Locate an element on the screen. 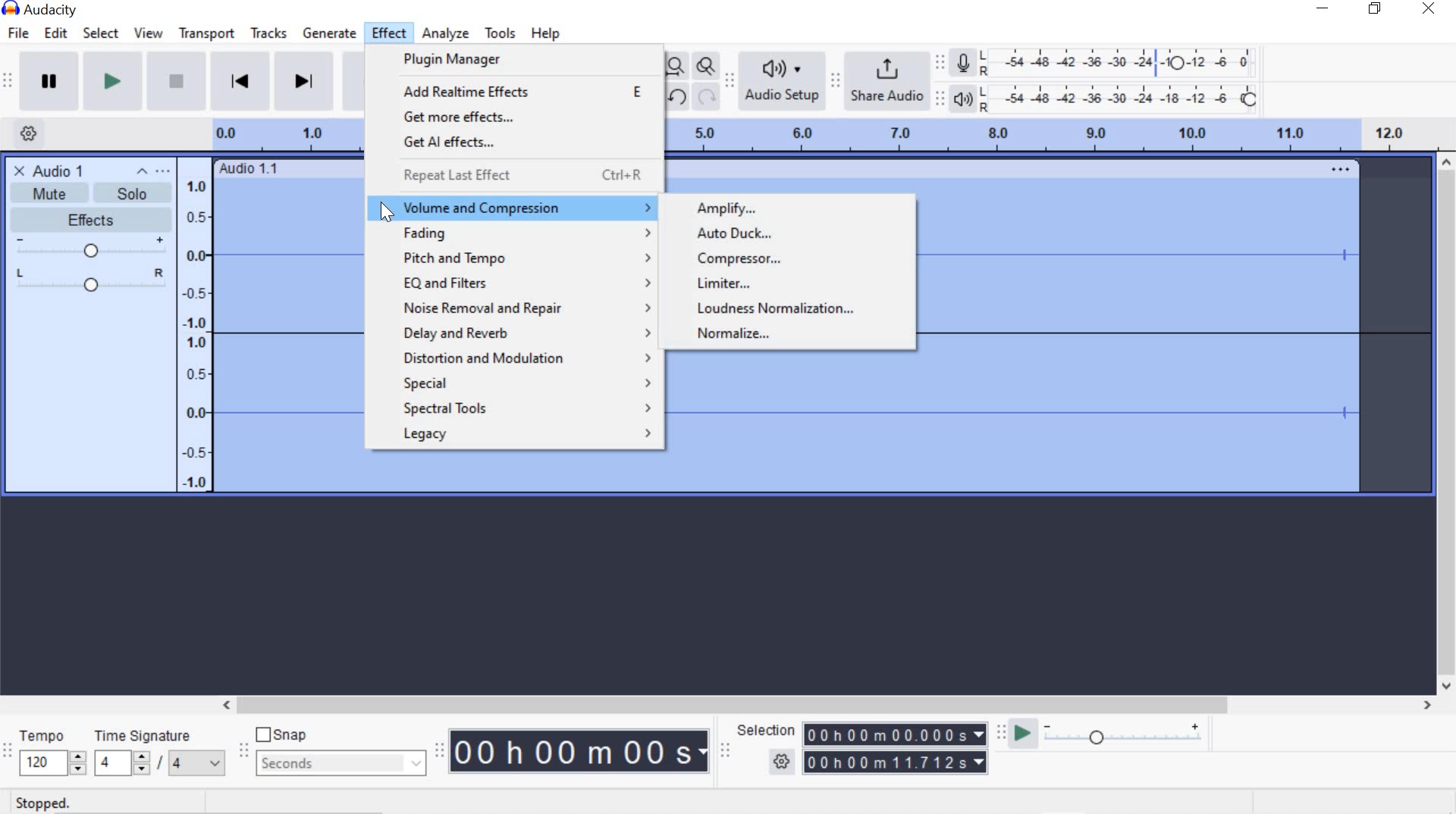  tracks is located at coordinates (268, 35).